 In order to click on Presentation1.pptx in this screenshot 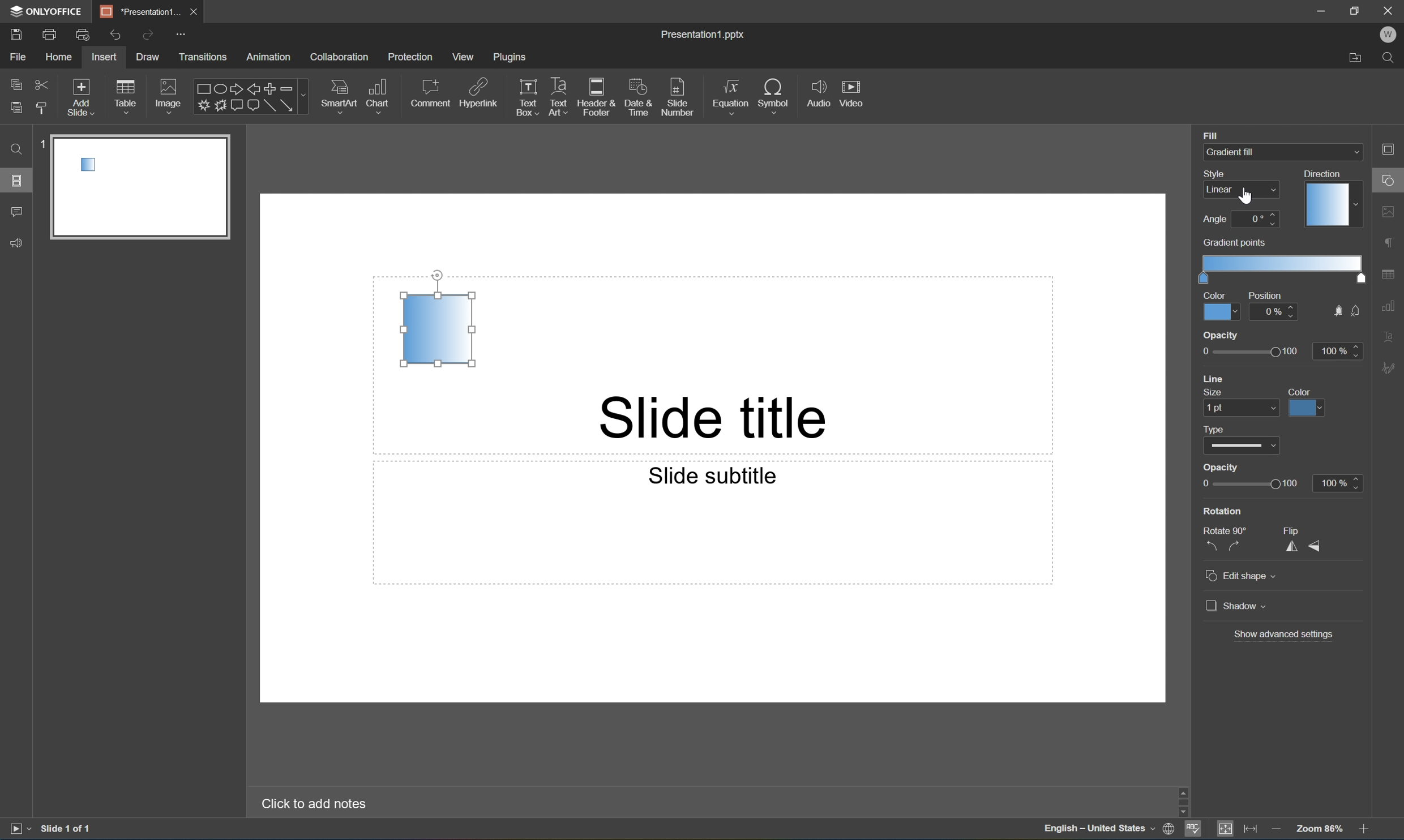, I will do `click(705, 36)`.